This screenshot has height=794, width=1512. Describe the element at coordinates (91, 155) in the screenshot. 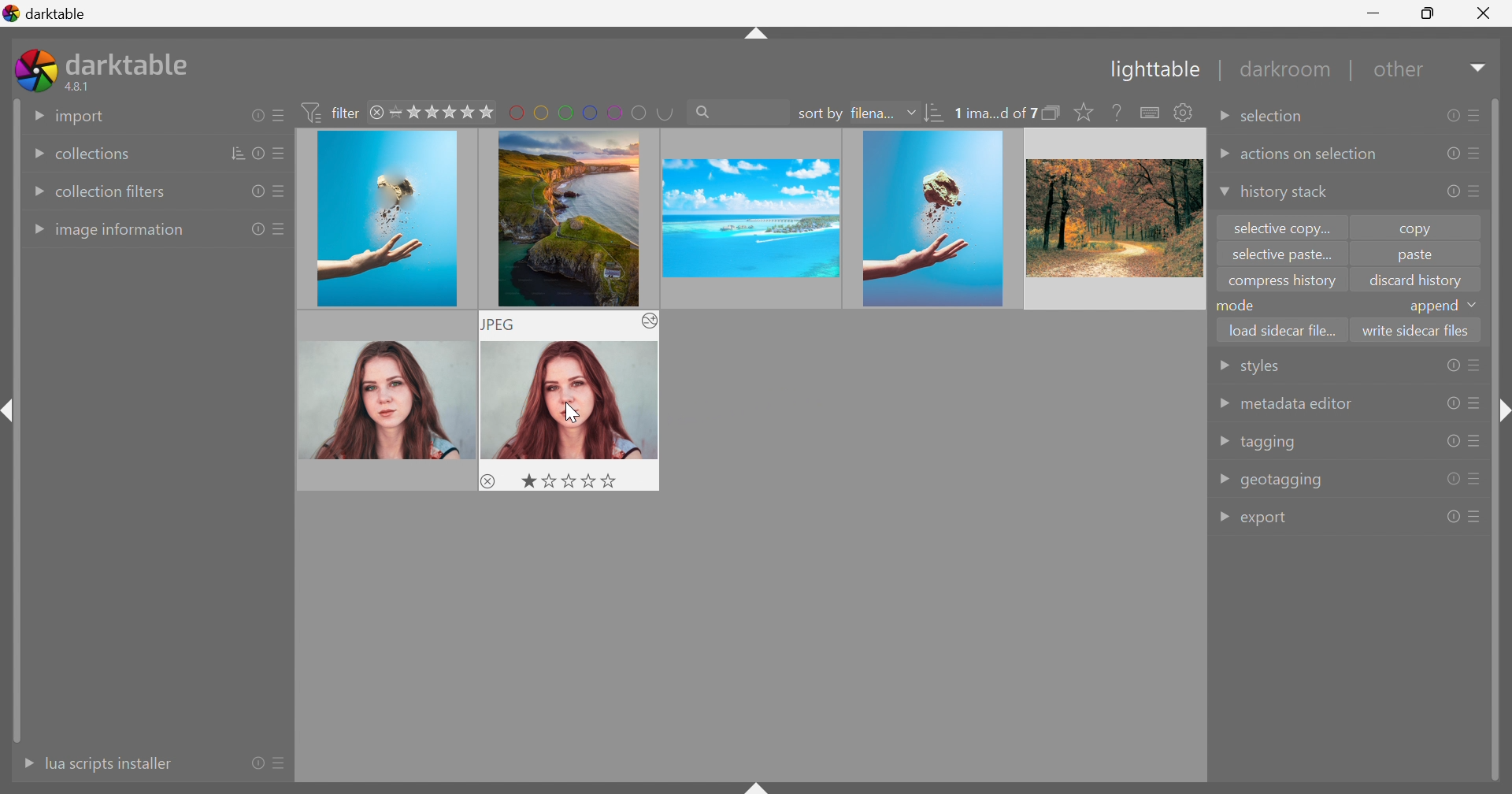

I see `collections` at that location.